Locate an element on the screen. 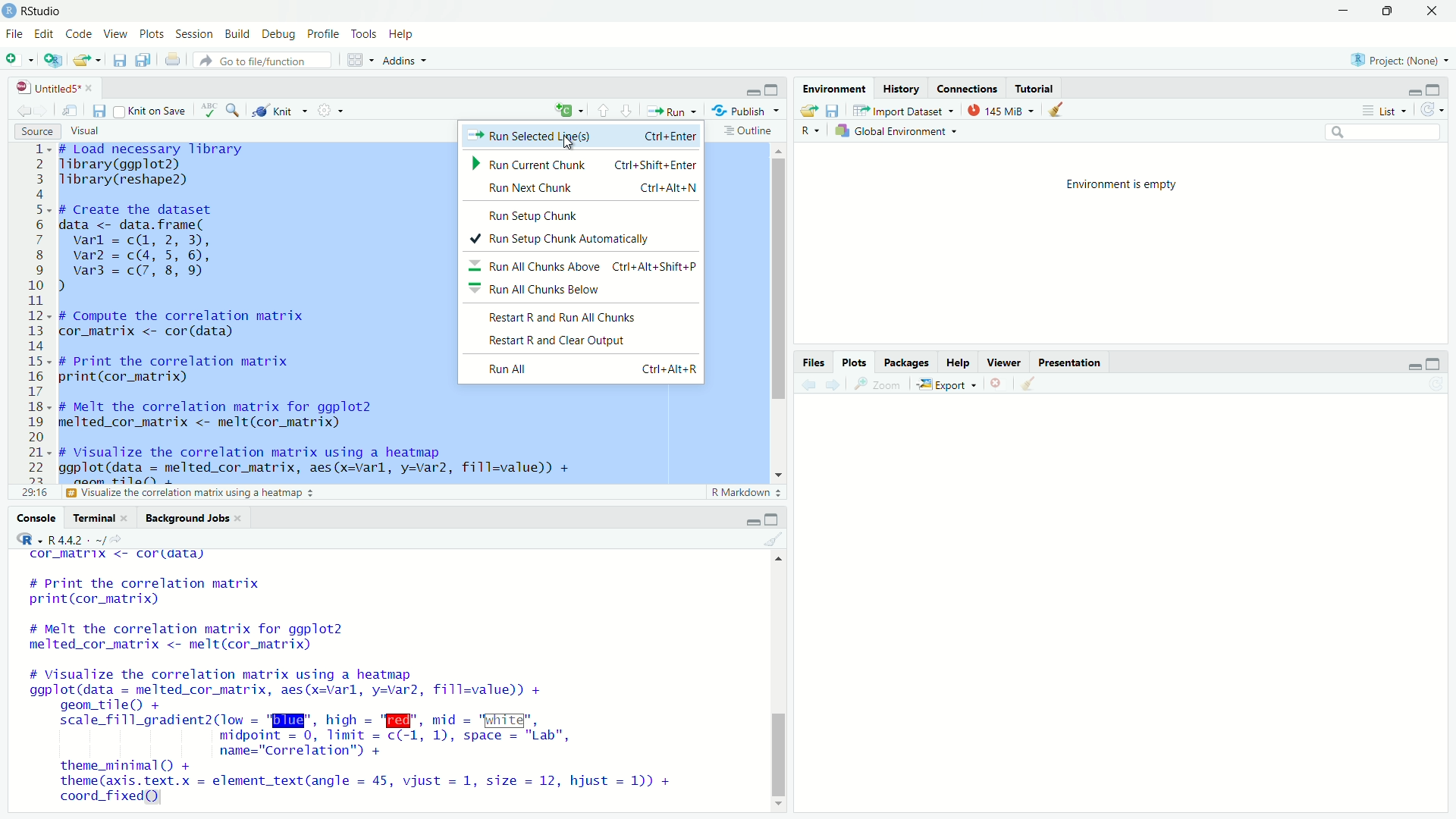  packages is located at coordinates (904, 362).